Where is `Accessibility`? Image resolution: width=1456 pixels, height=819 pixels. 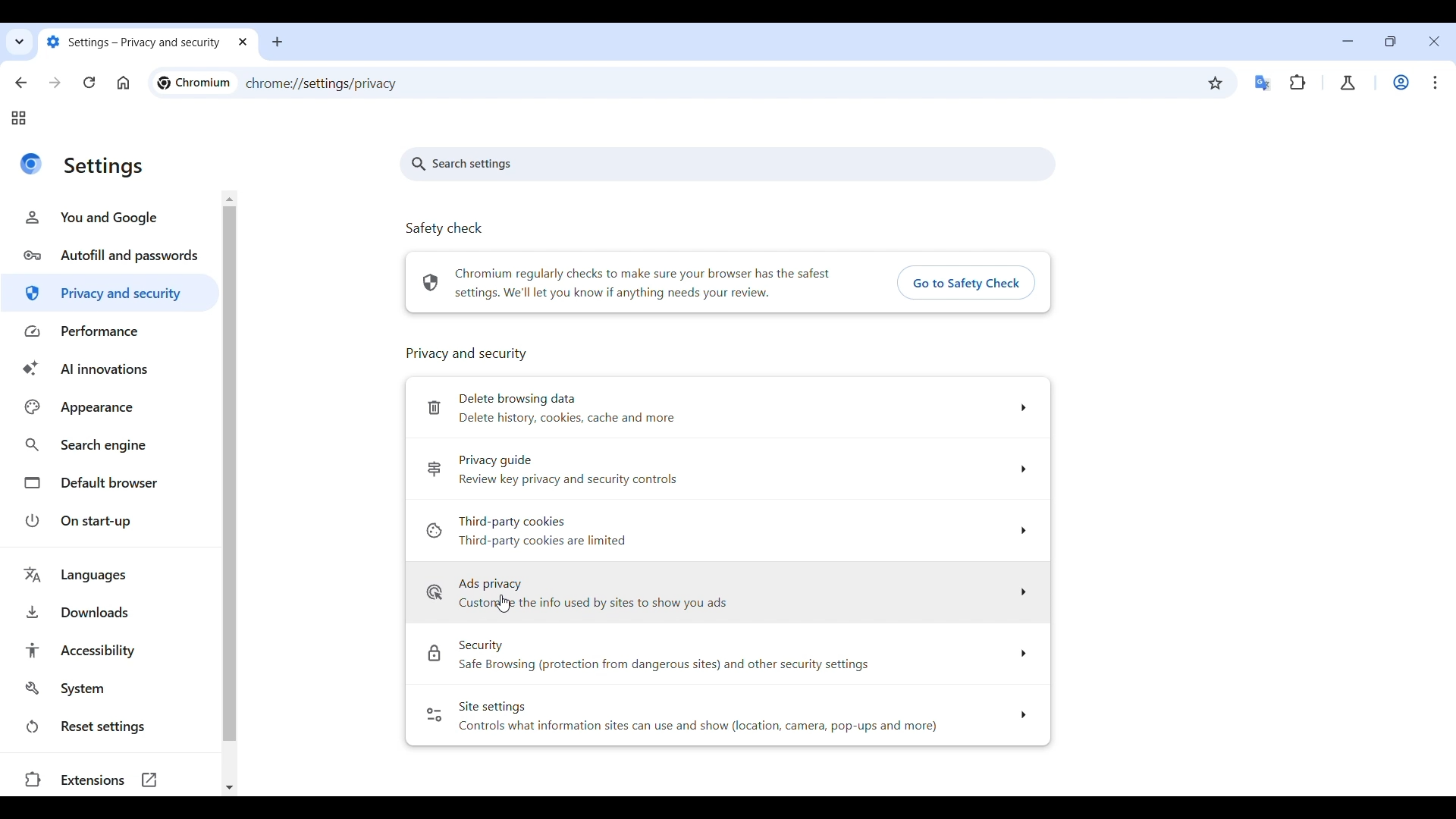
Accessibility is located at coordinates (111, 650).